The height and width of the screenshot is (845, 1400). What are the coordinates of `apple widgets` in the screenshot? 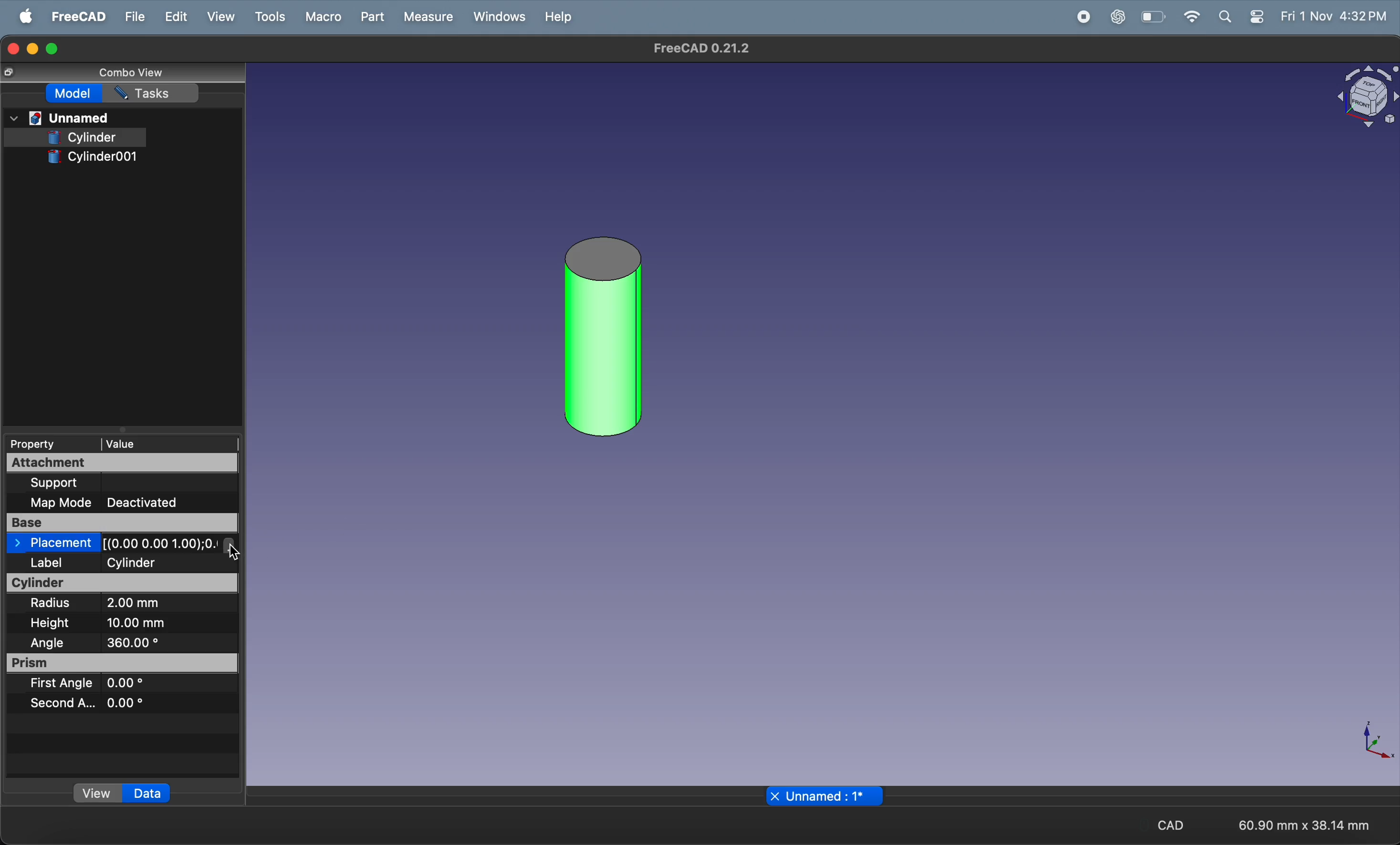 It's located at (1241, 18).